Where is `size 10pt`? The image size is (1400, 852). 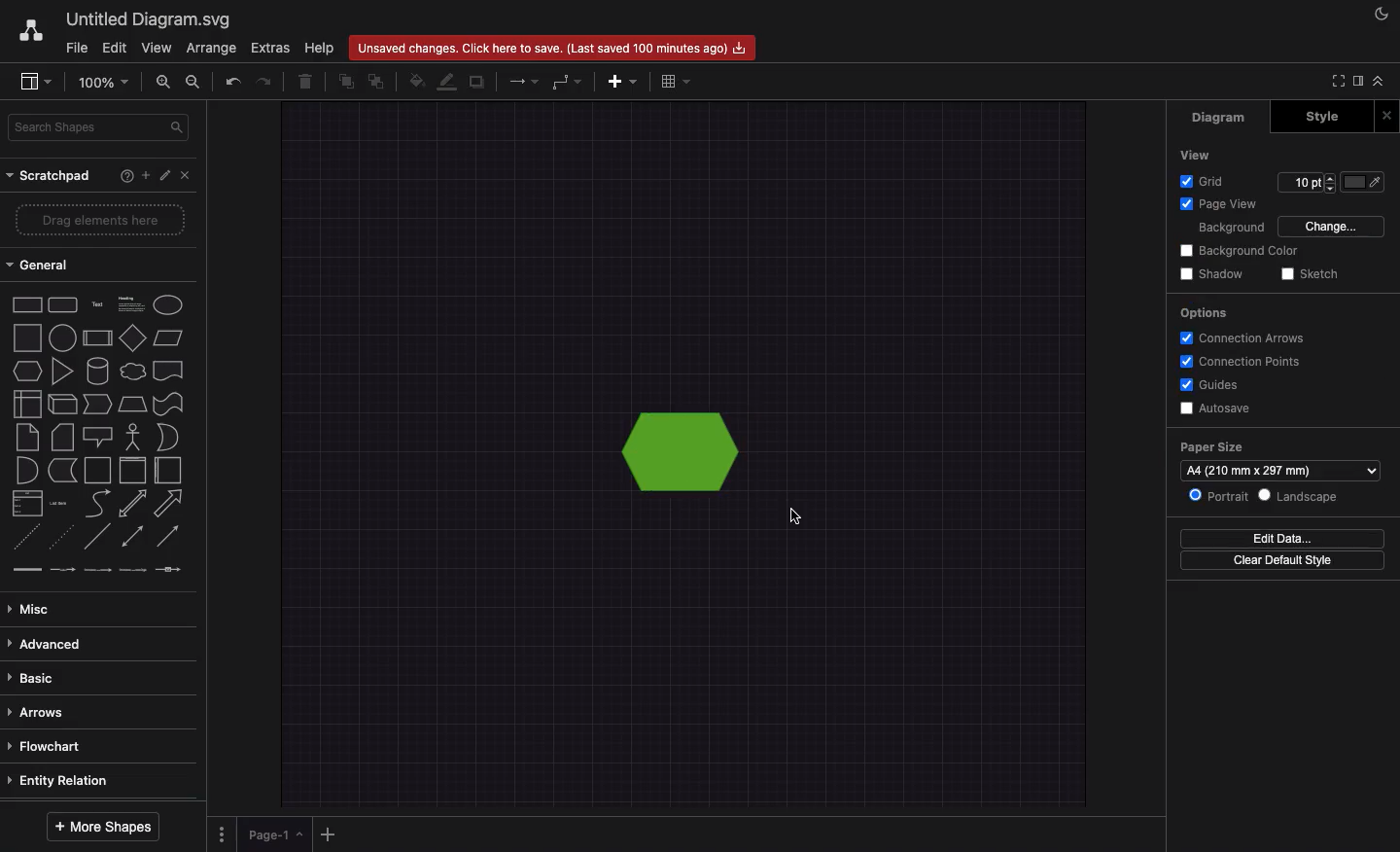 size 10pt is located at coordinates (1306, 181).